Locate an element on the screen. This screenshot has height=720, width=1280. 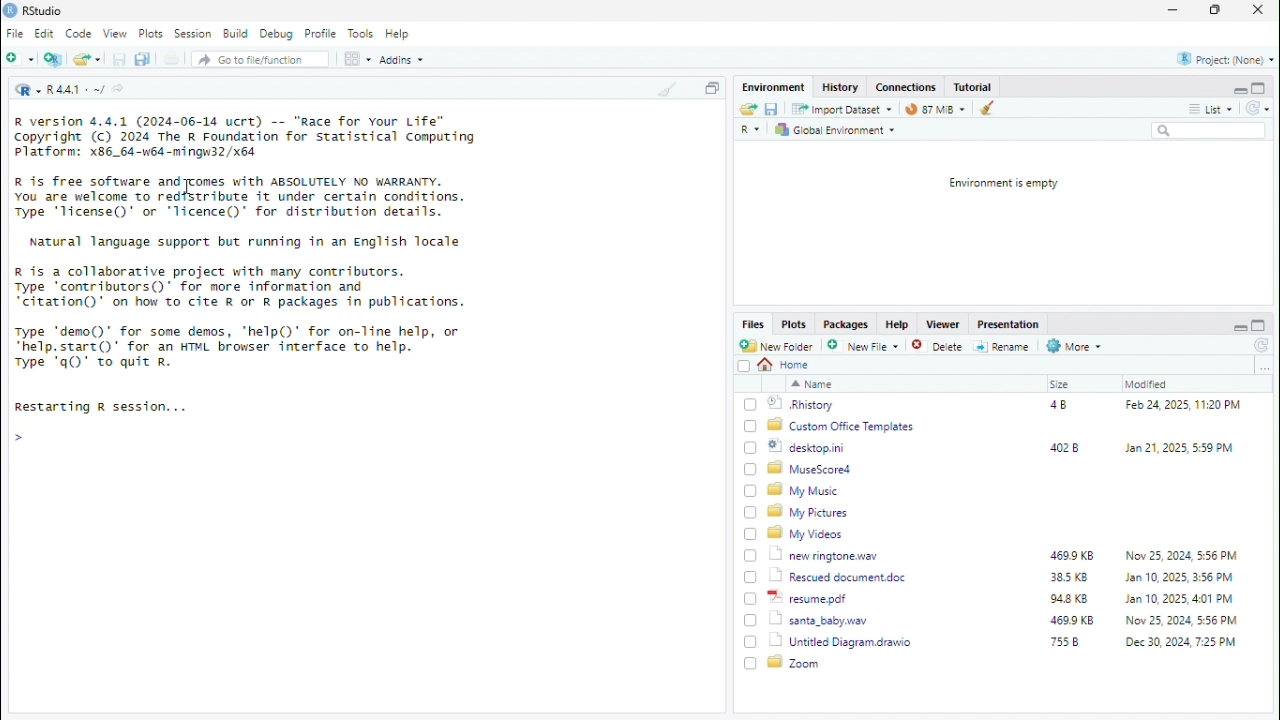
Cursor  is located at coordinates (188, 187).